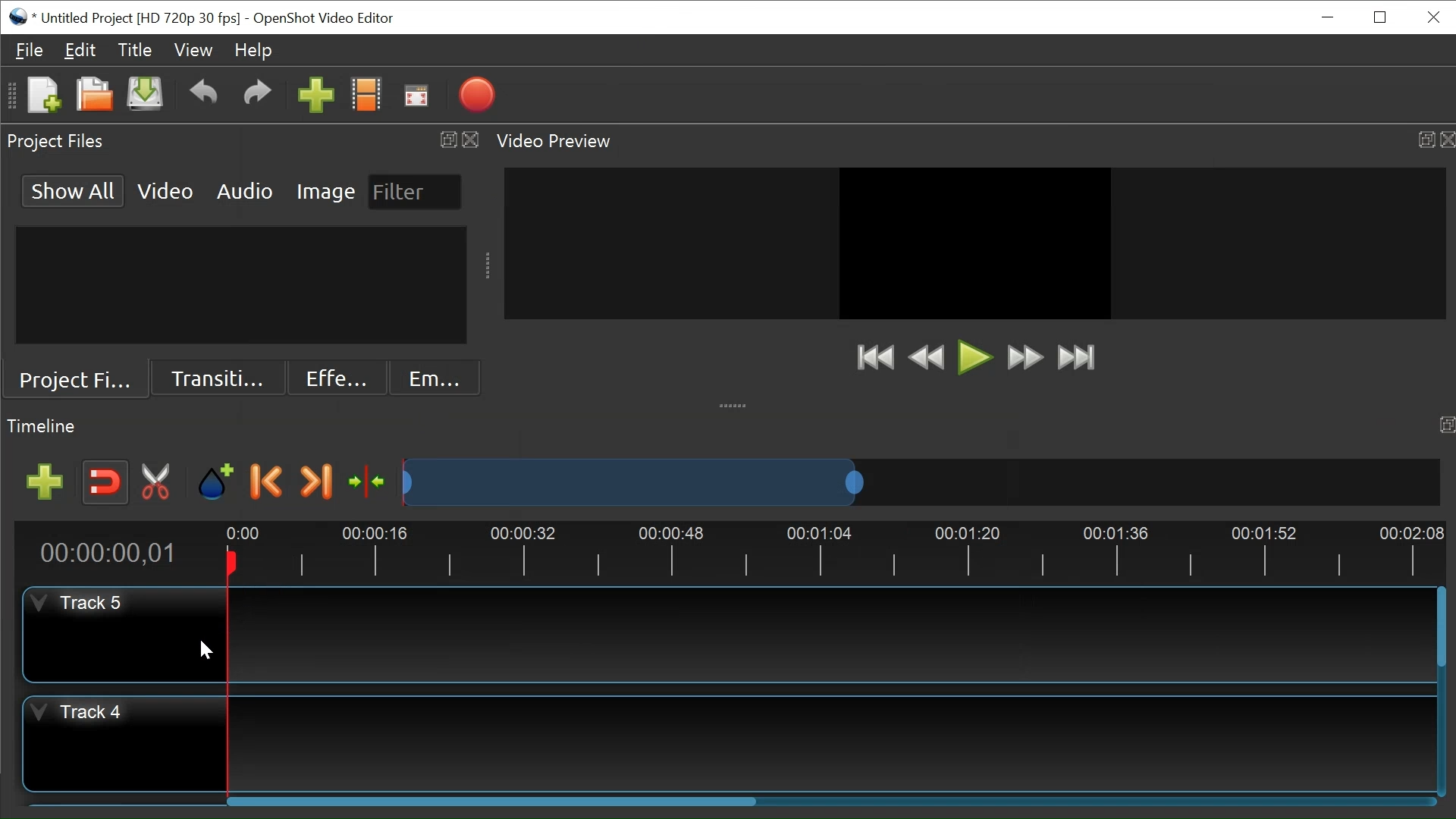  What do you see at coordinates (1439, 626) in the screenshot?
I see `Vertical Scroll bar` at bounding box center [1439, 626].